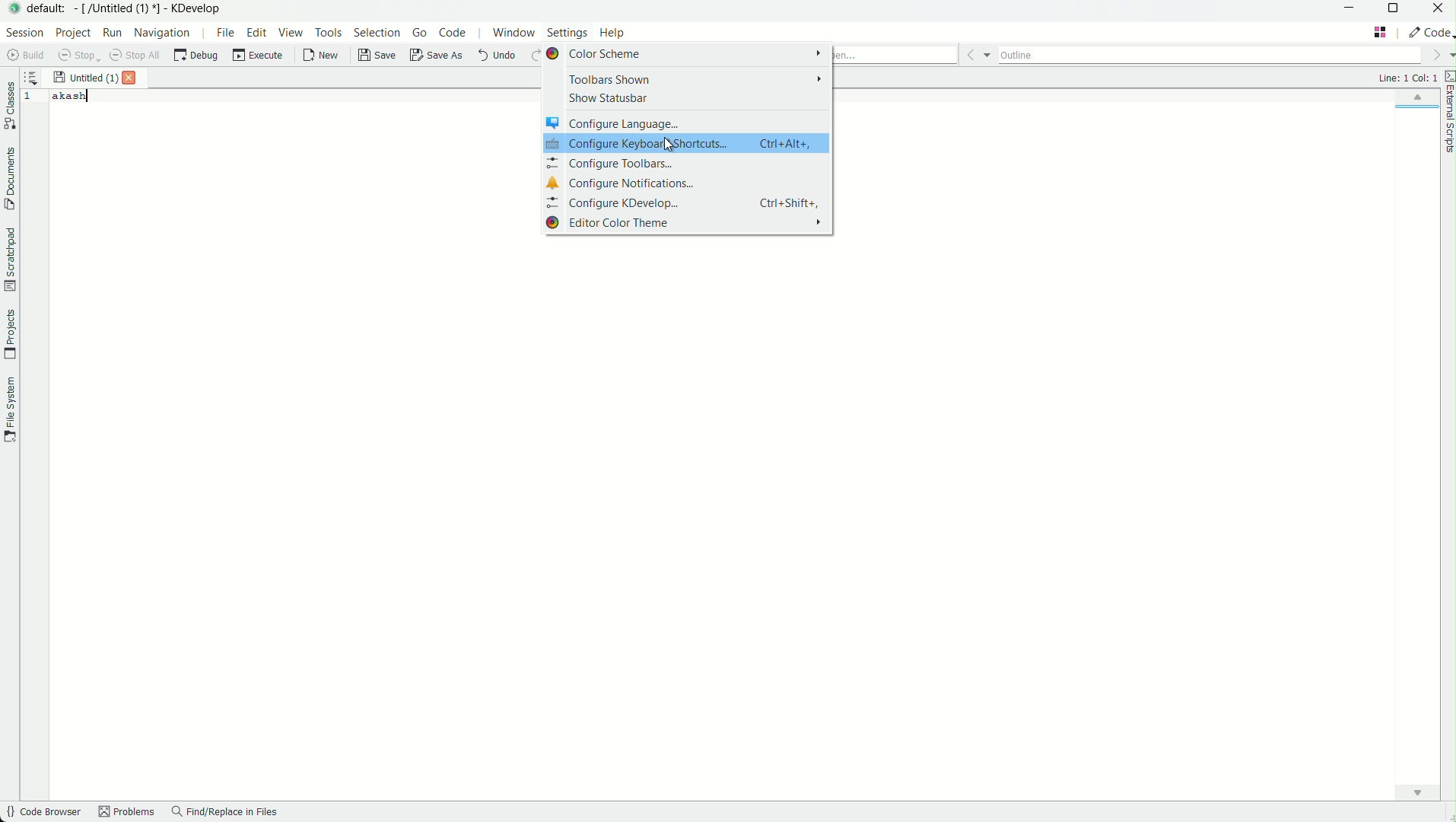  What do you see at coordinates (72, 33) in the screenshot?
I see `project menu` at bounding box center [72, 33].